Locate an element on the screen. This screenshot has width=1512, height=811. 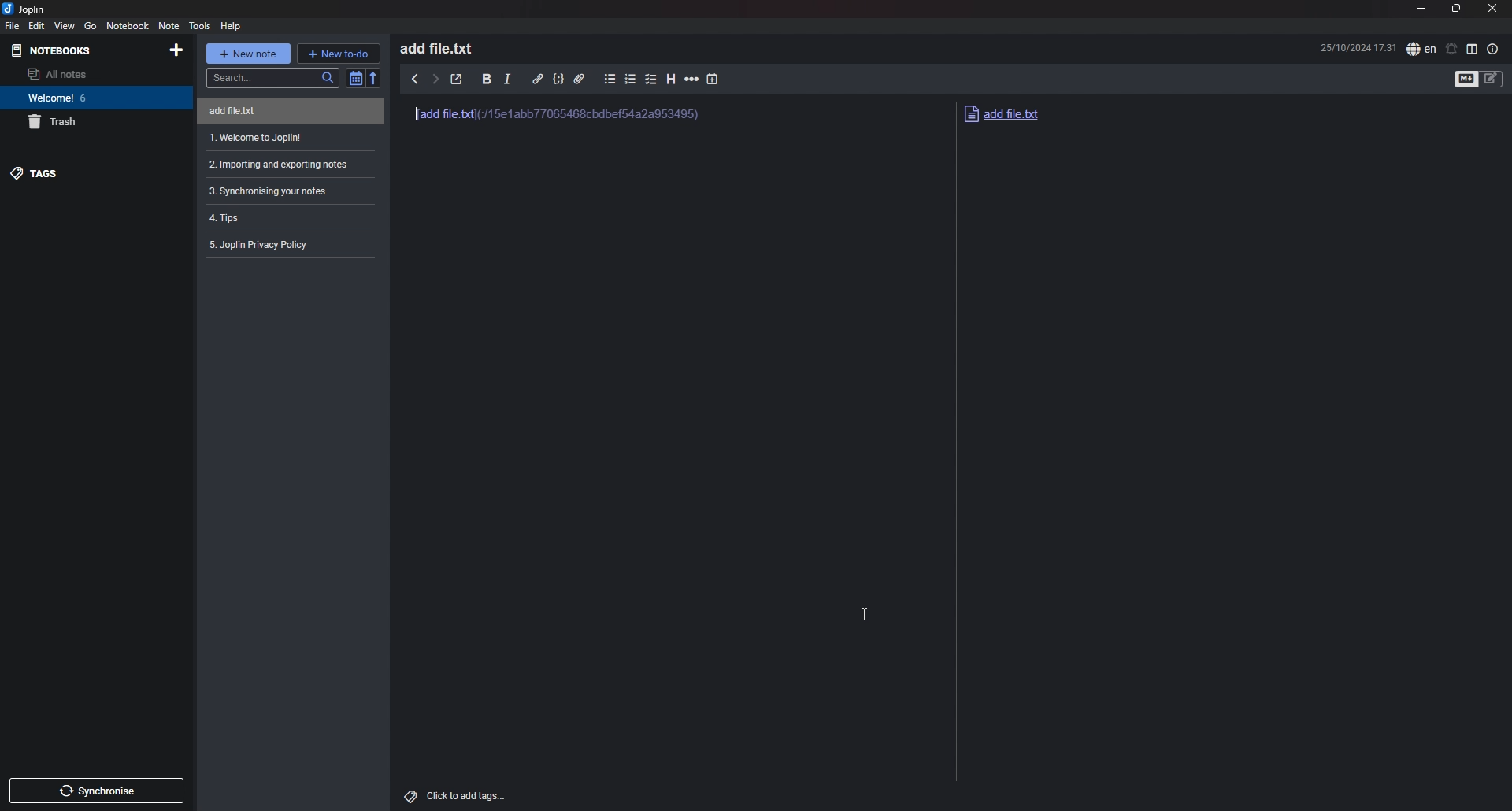
add.file.txt is located at coordinates (443, 47).